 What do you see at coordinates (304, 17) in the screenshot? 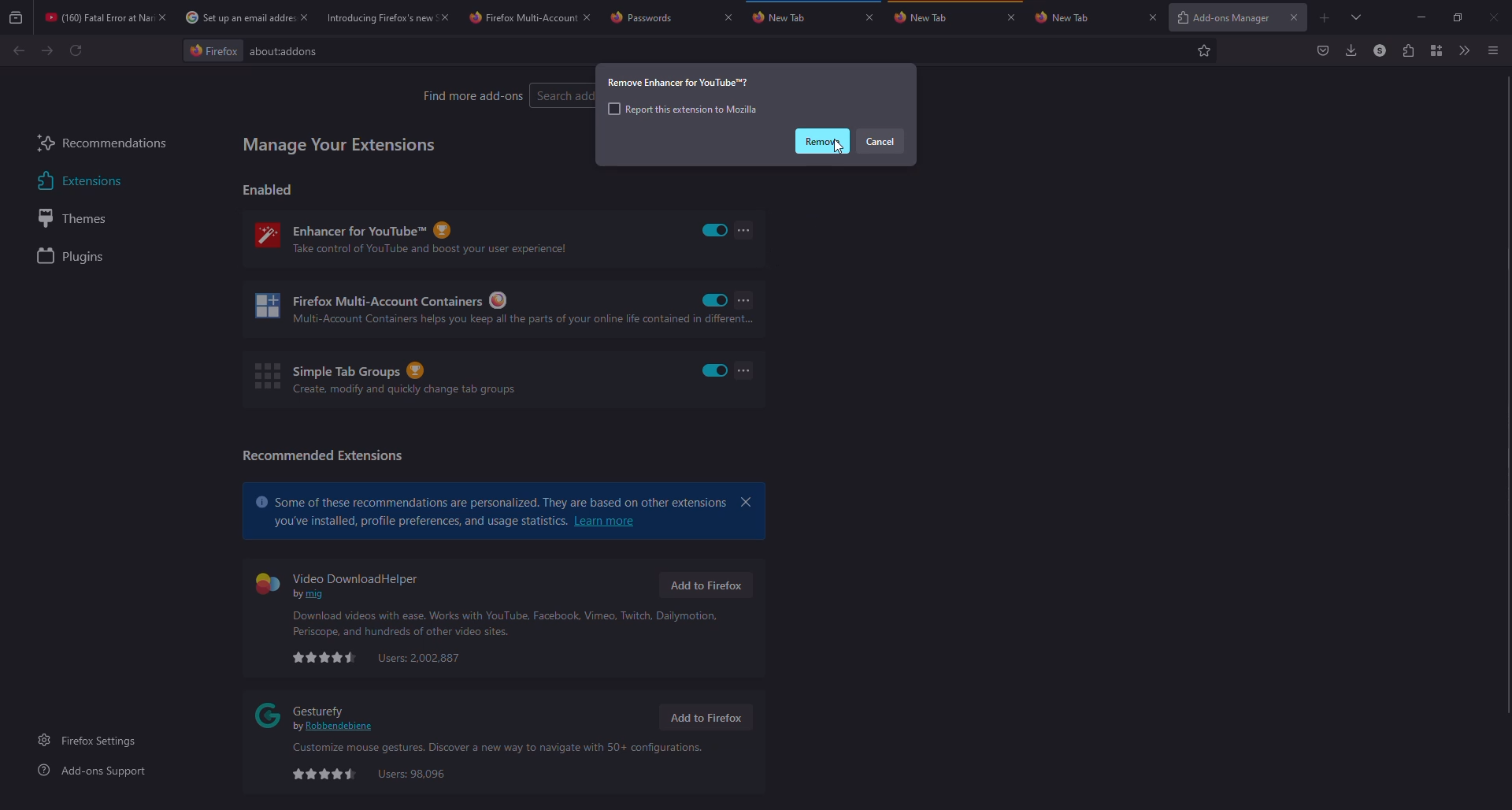
I see `close` at bounding box center [304, 17].